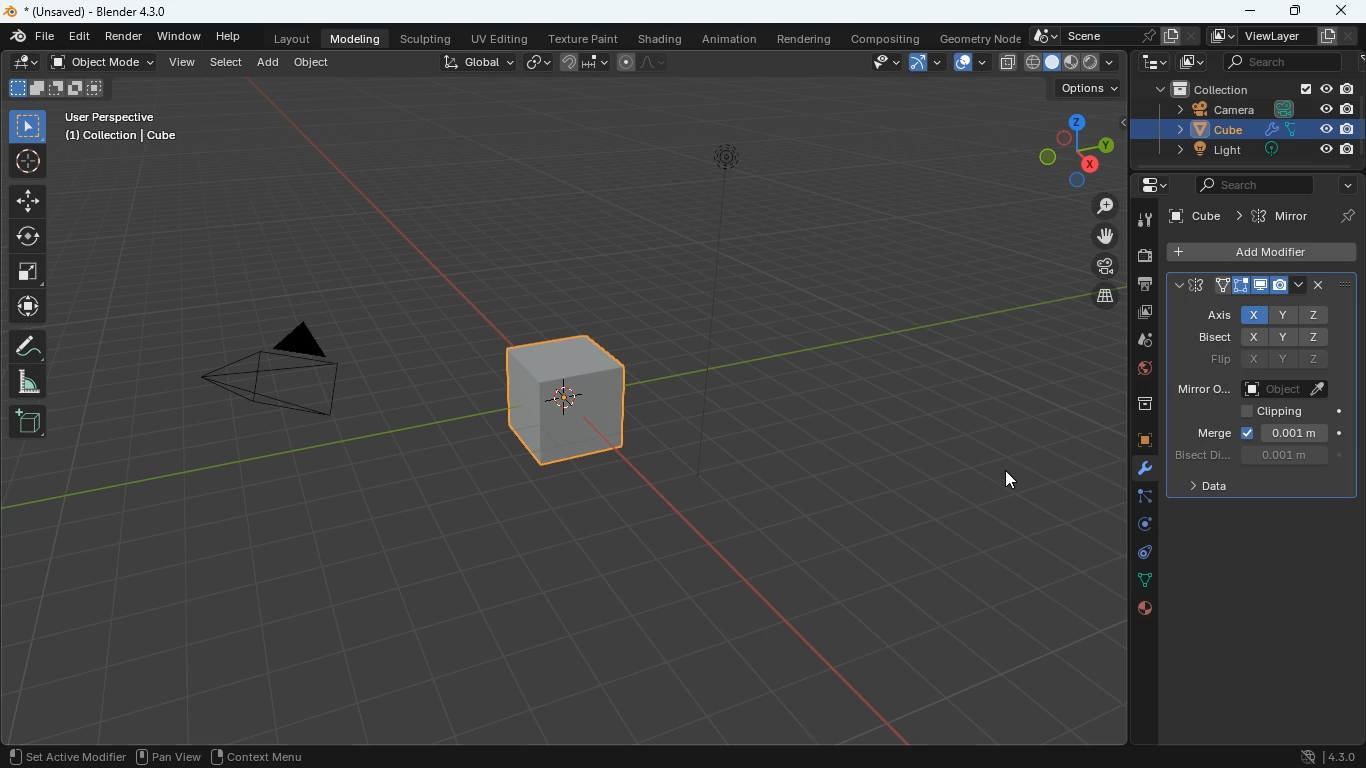 This screenshot has width=1366, height=768. Describe the element at coordinates (289, 376) in the screenshot. I see `camera` at that location.